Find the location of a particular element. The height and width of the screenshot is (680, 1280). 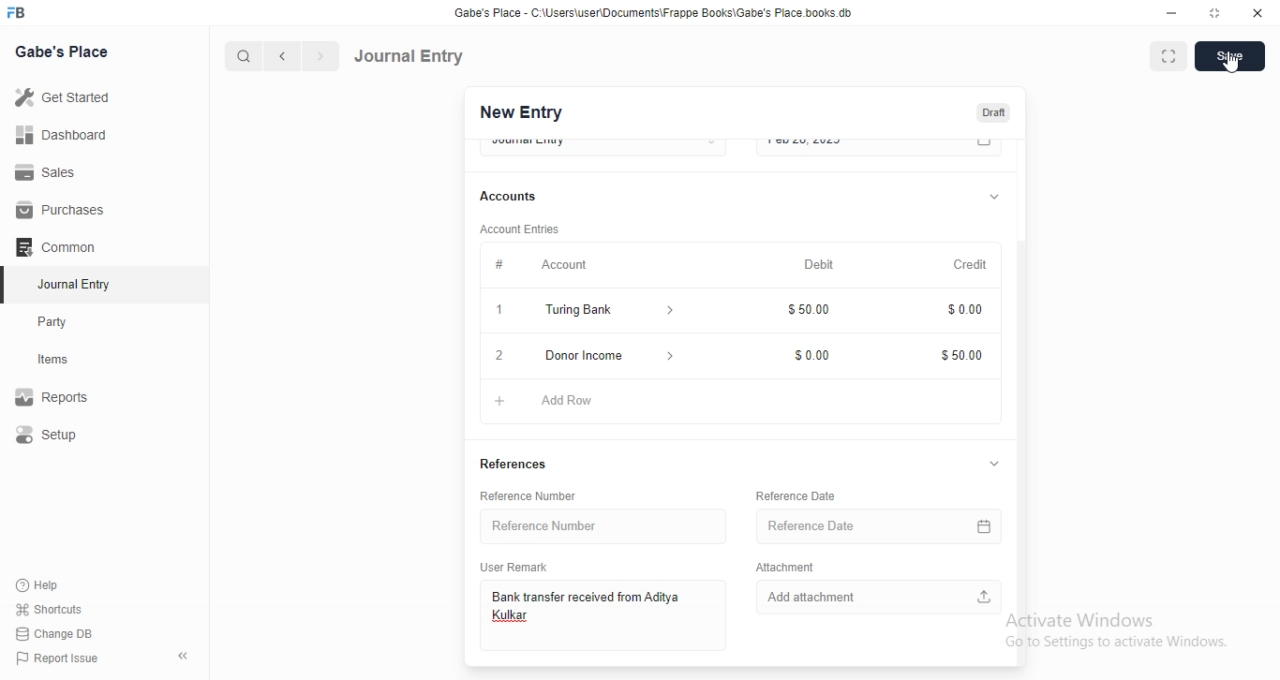

Add Row is located at coordinates (557, 398).